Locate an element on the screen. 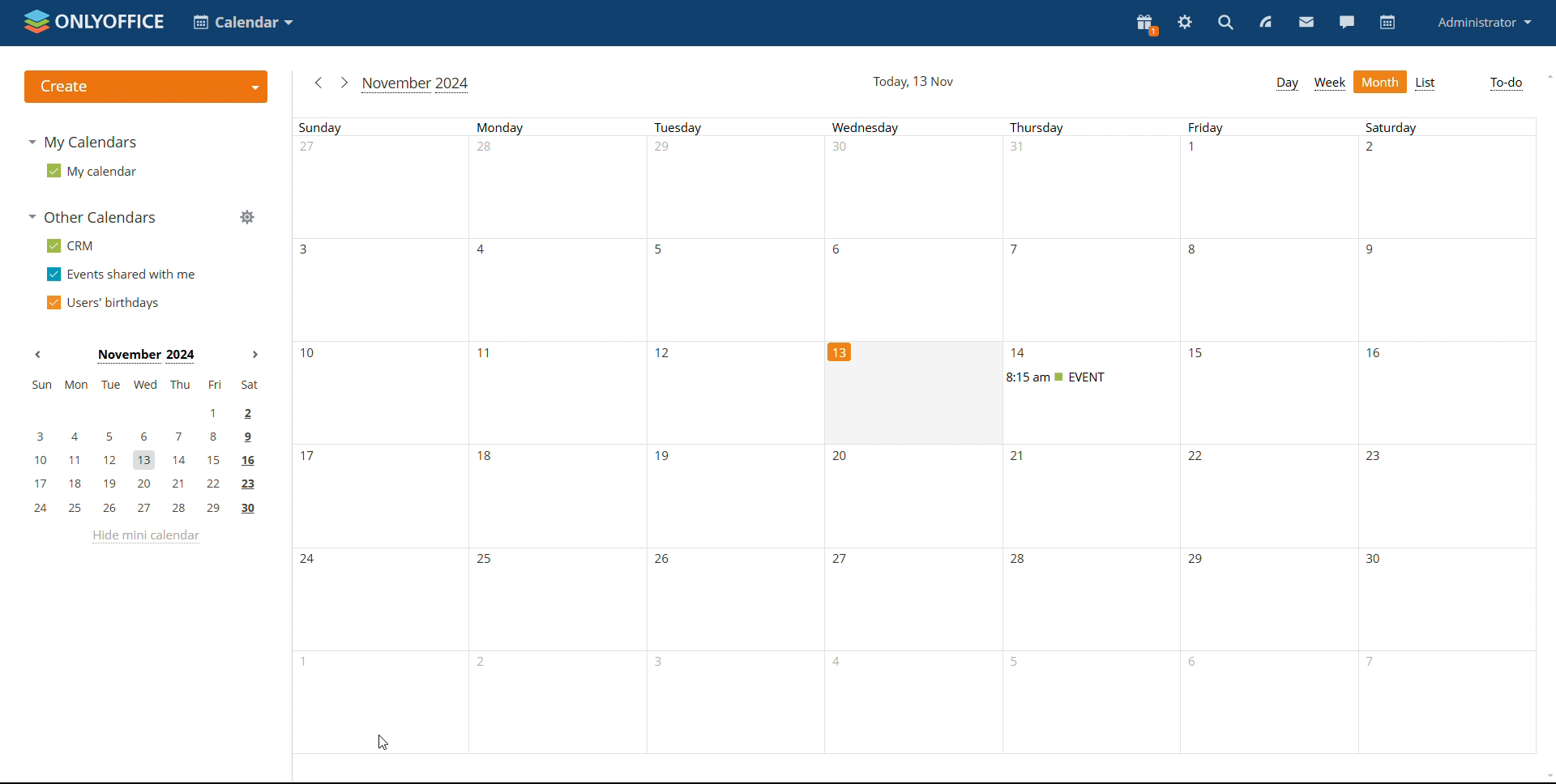  current month is located at coordinates (418, 84).